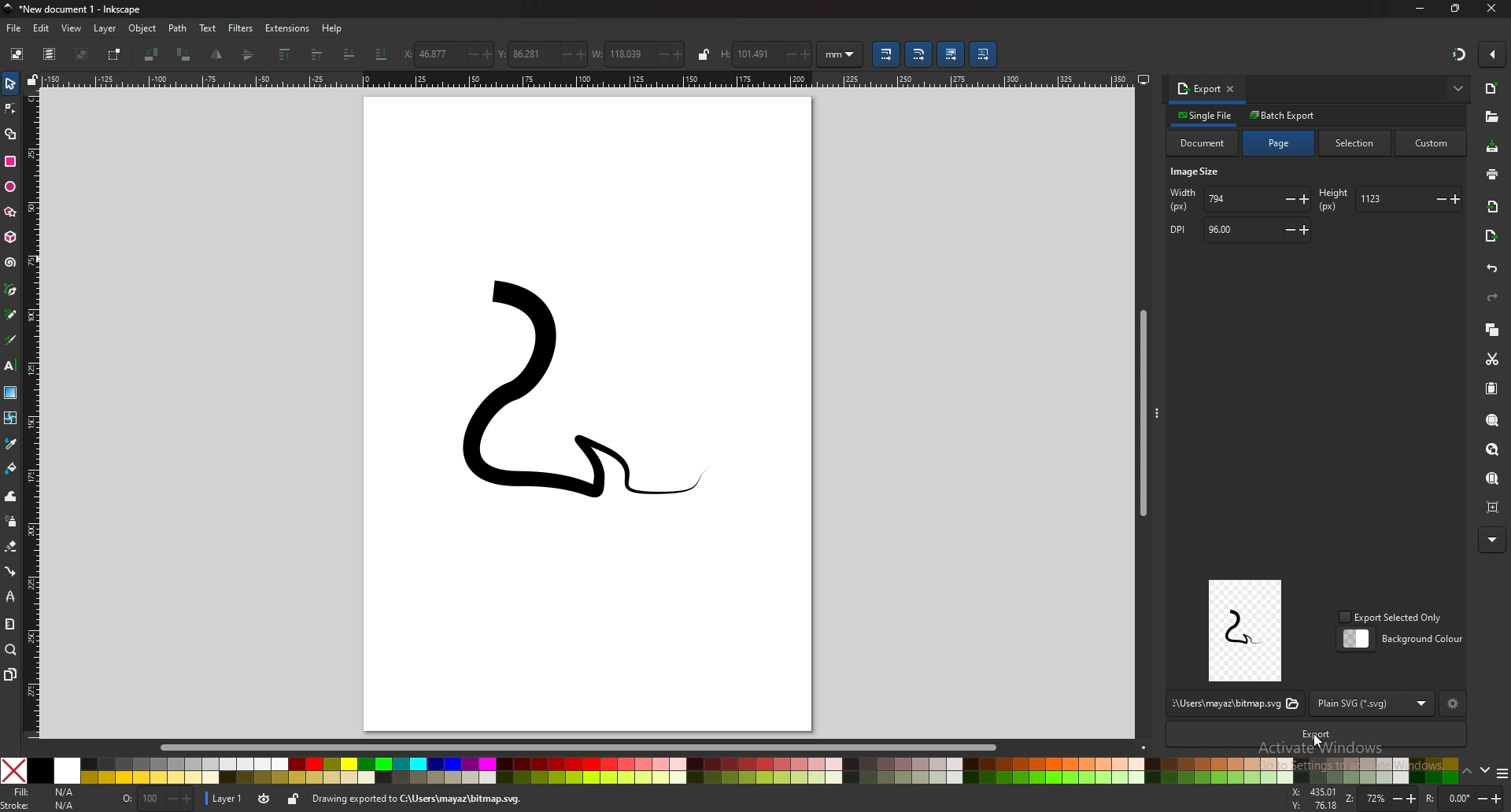 This screenshot has height=812, width=1511. I want to click on dropper, so click(11, 443).